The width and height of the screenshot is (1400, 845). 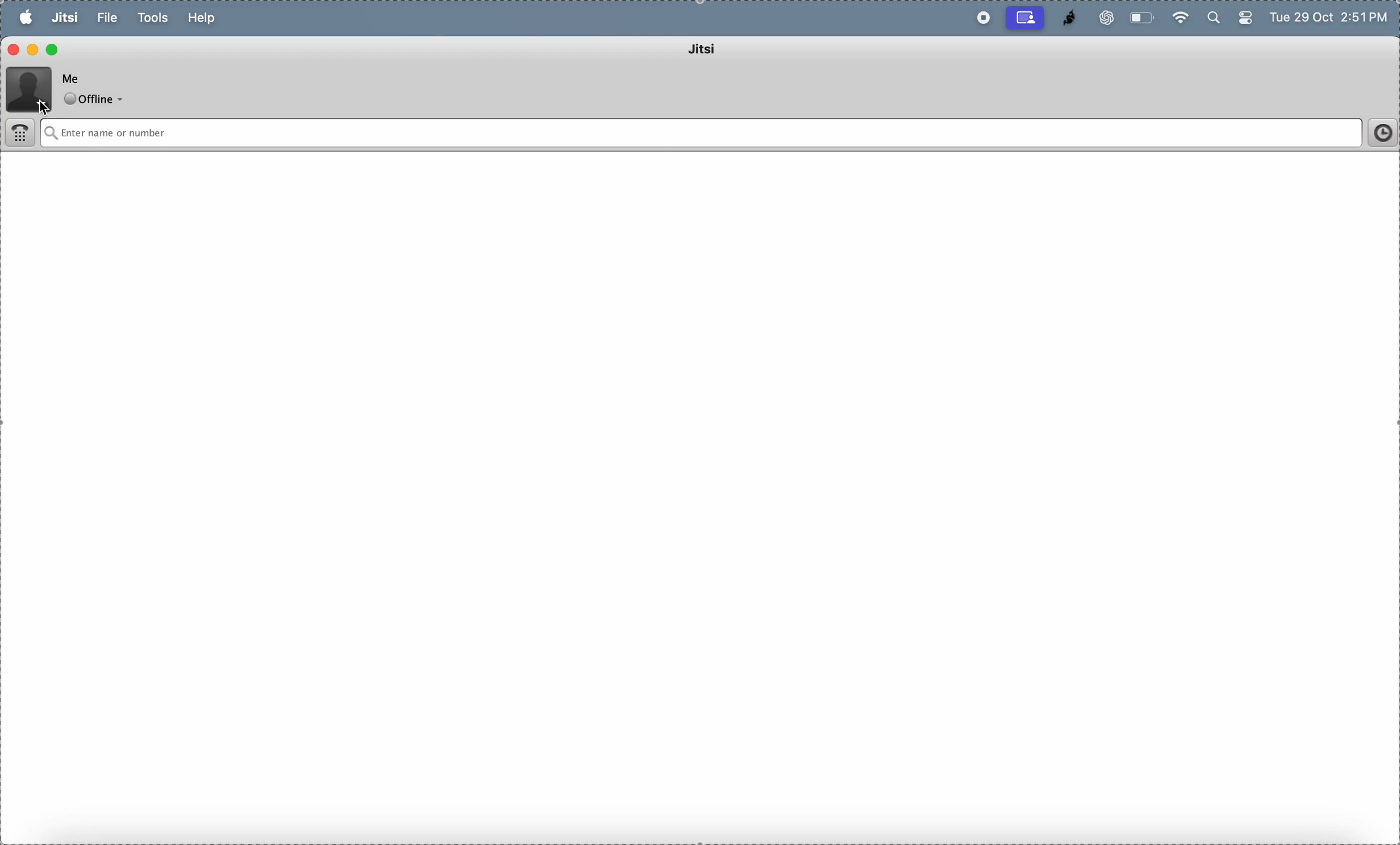 I want to click on Me, so click(x=74, y=77).